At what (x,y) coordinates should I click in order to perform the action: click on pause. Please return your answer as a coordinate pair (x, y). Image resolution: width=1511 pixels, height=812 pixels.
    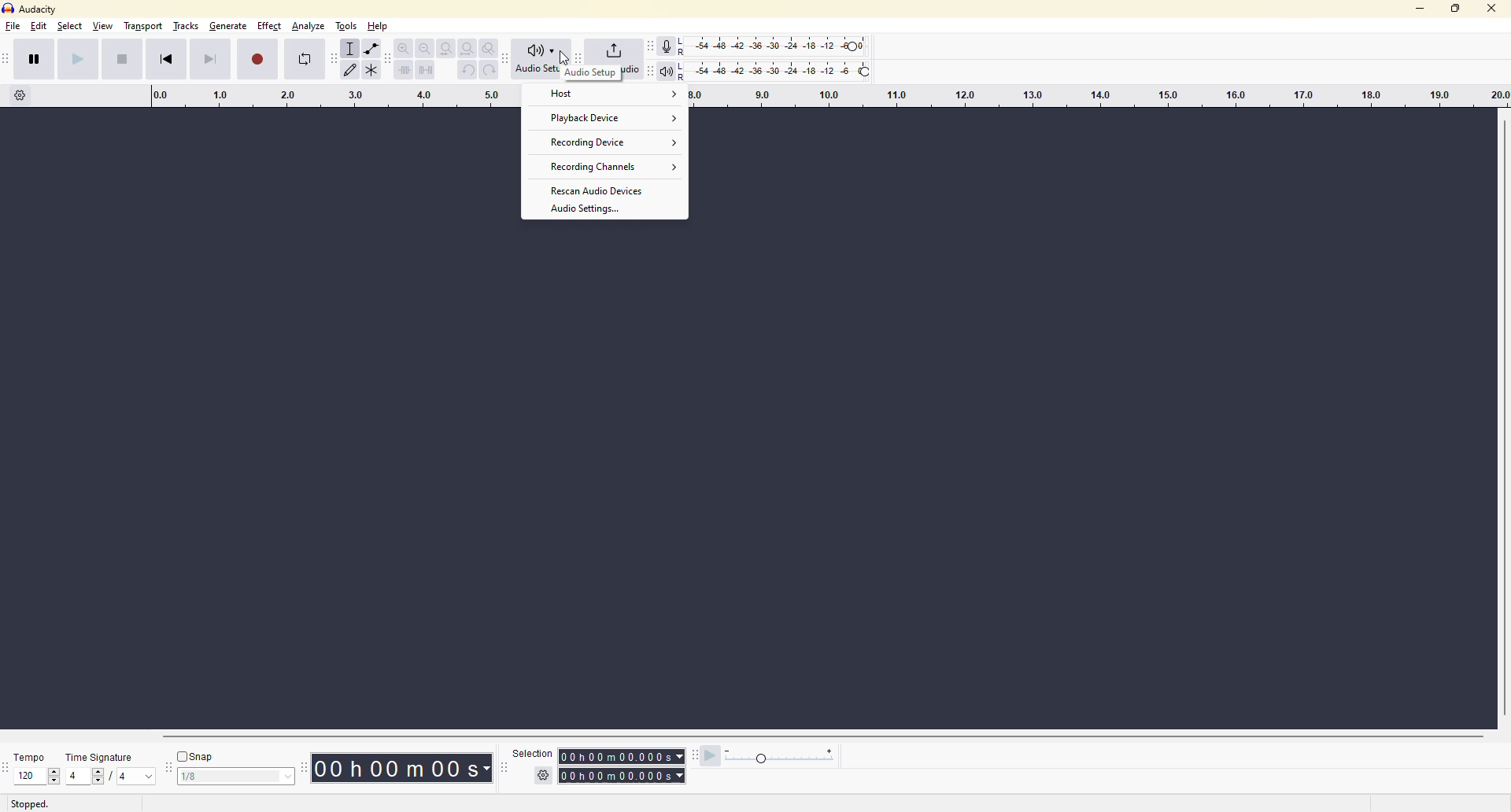
    Looking at the image, I should click on (35, 57).